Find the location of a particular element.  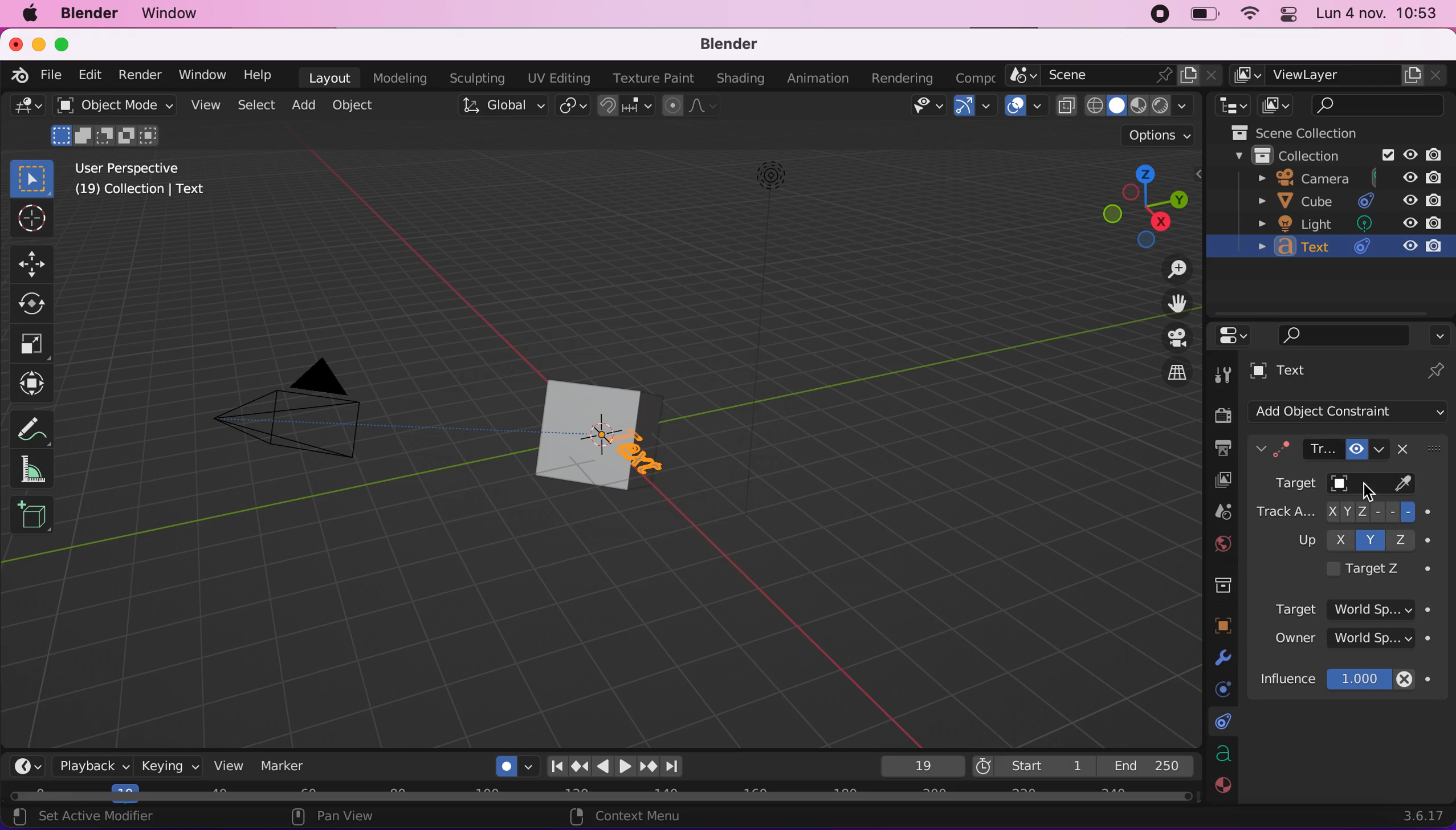

output is located at coordinates (1221, 449).